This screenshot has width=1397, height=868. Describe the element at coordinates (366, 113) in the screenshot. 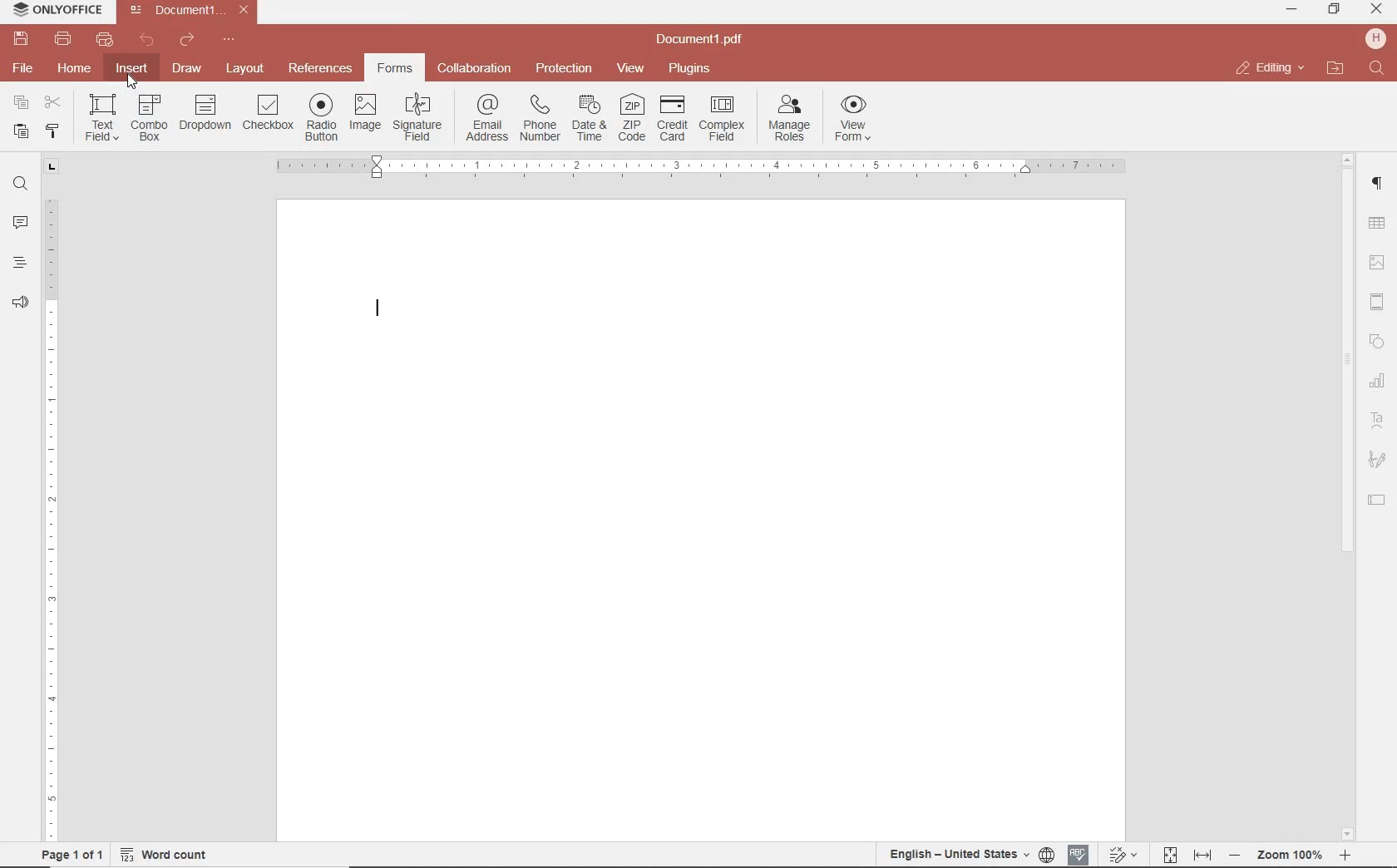

I see `insert image` at that location.